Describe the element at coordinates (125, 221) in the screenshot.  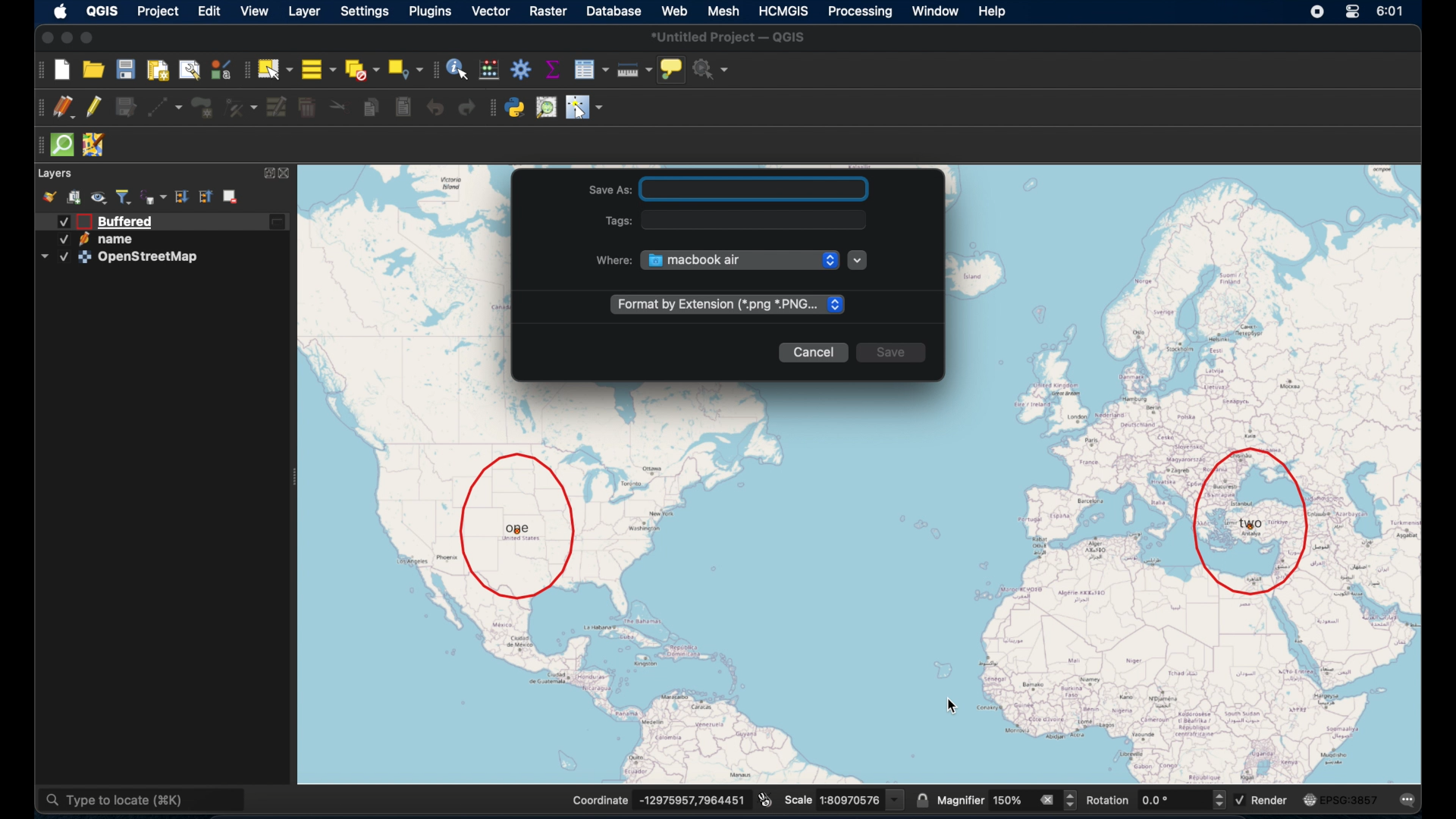
I see `buffered` at that location.